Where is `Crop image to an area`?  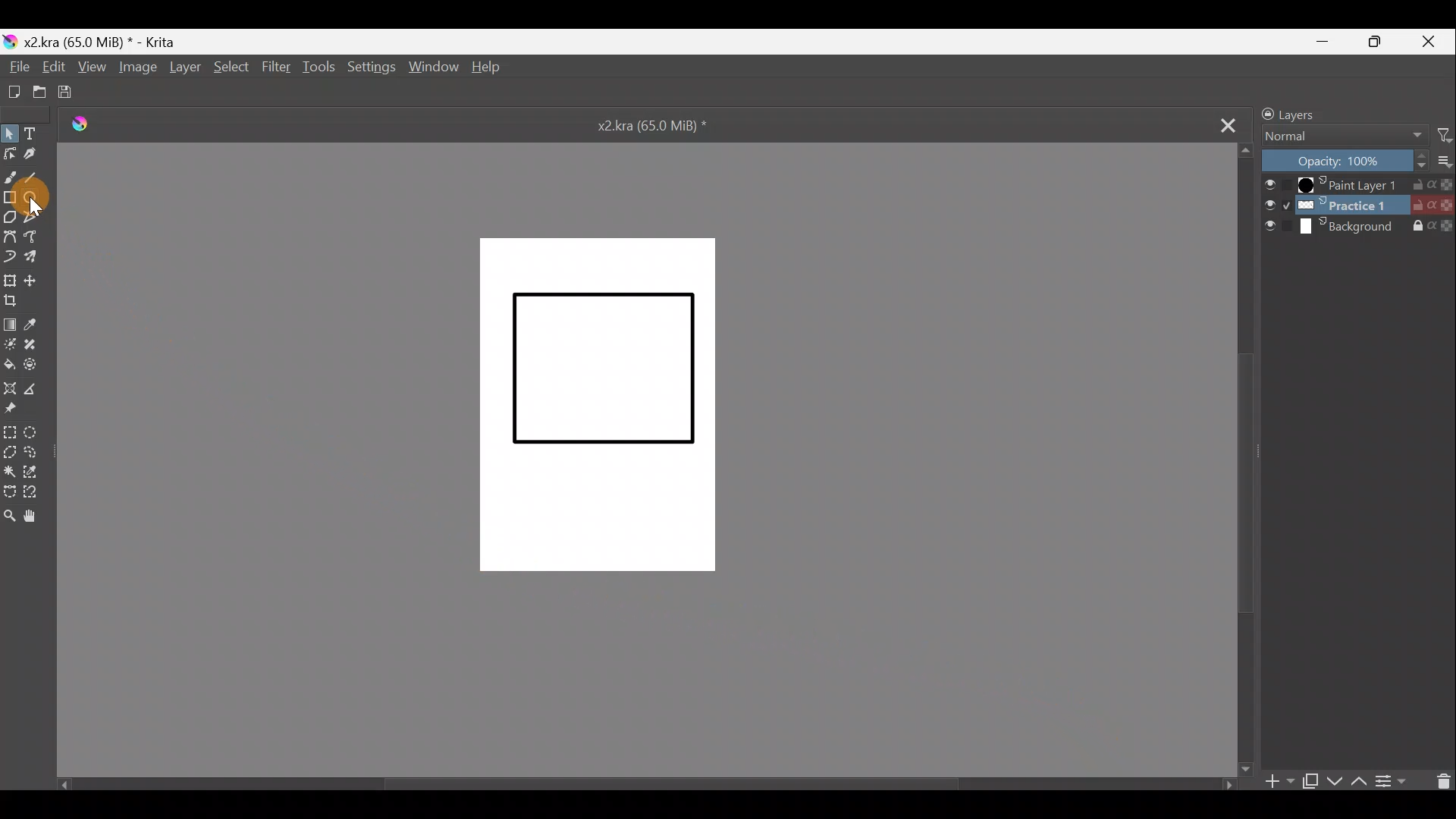 Crop image to an area is located at coordinates (17, 303).